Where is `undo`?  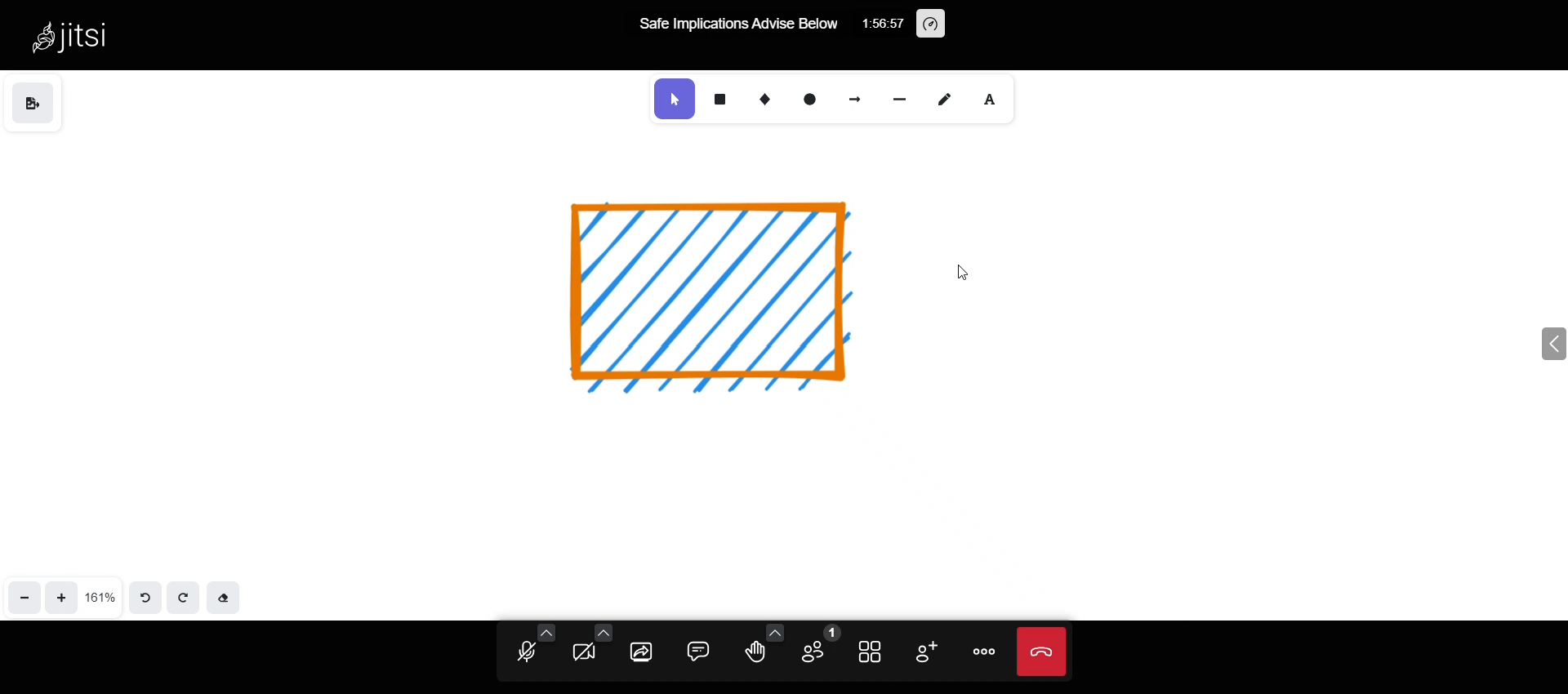 undo is located at coordinates (144, 598).